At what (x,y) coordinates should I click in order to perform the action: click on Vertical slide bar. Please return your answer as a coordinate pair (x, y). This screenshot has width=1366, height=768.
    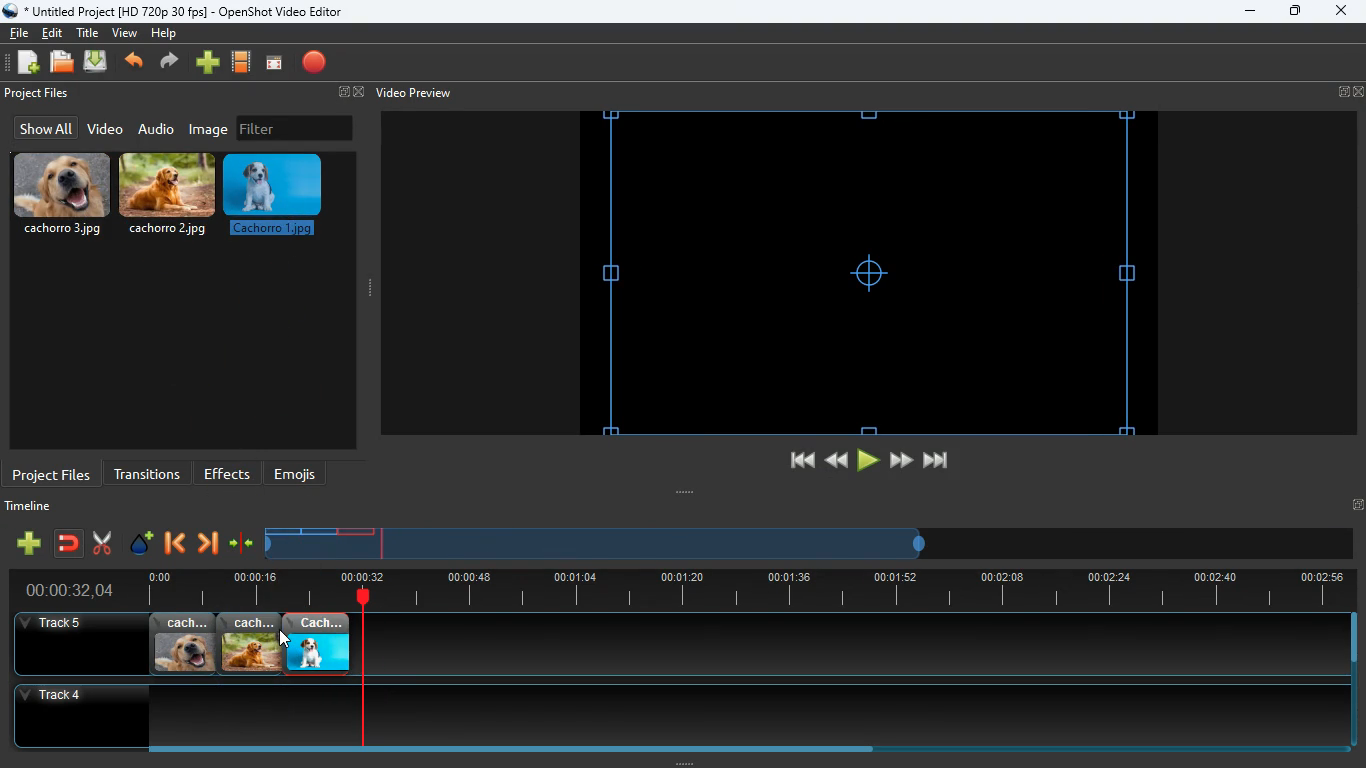
    Looking at the image, I should click on (1354, 680).